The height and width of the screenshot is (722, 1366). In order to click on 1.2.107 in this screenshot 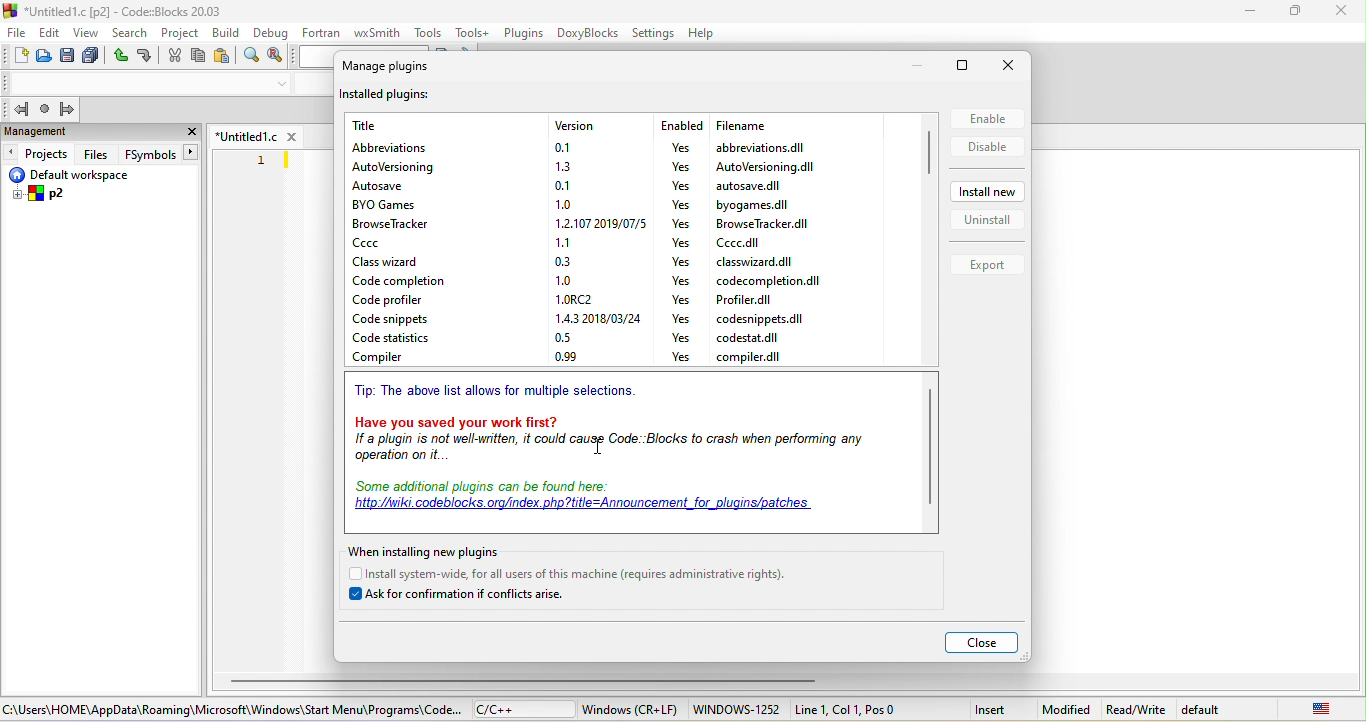, I will do `click(595, 224)`.